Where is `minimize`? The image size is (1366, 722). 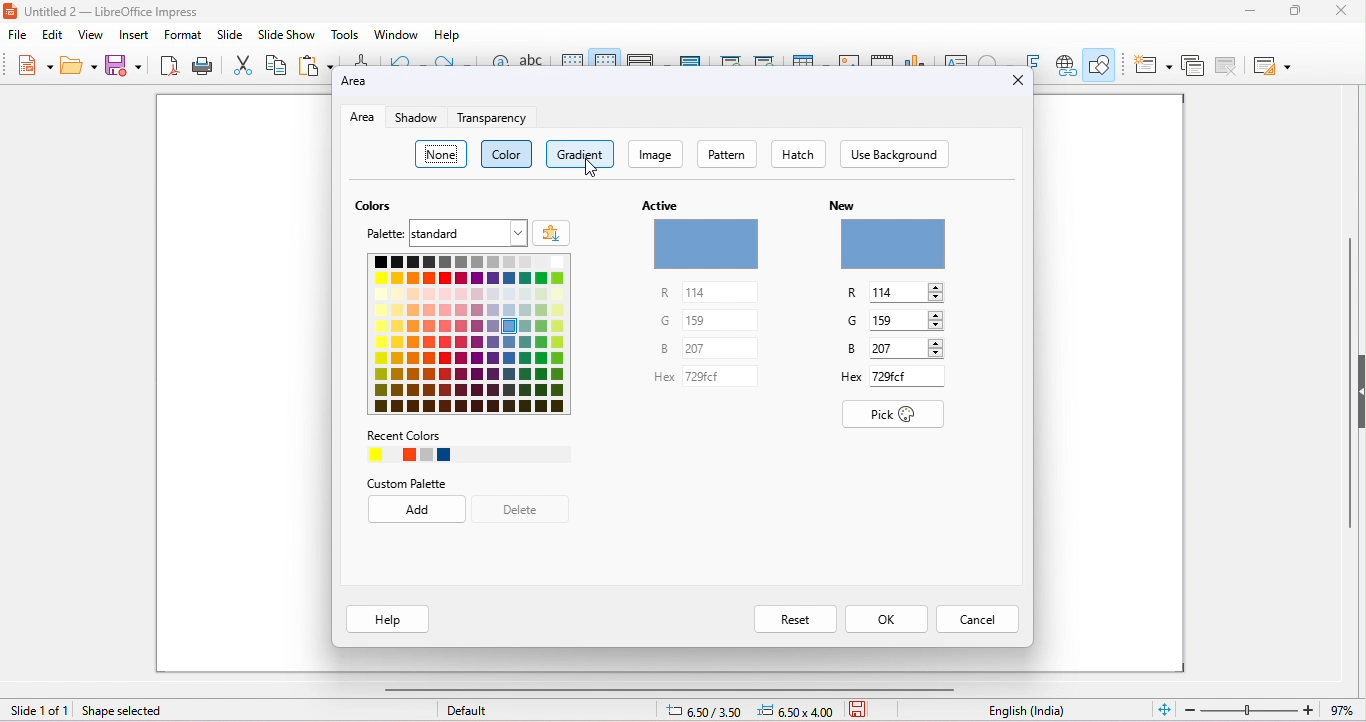 minimize is located at coordinates (1251, 11).